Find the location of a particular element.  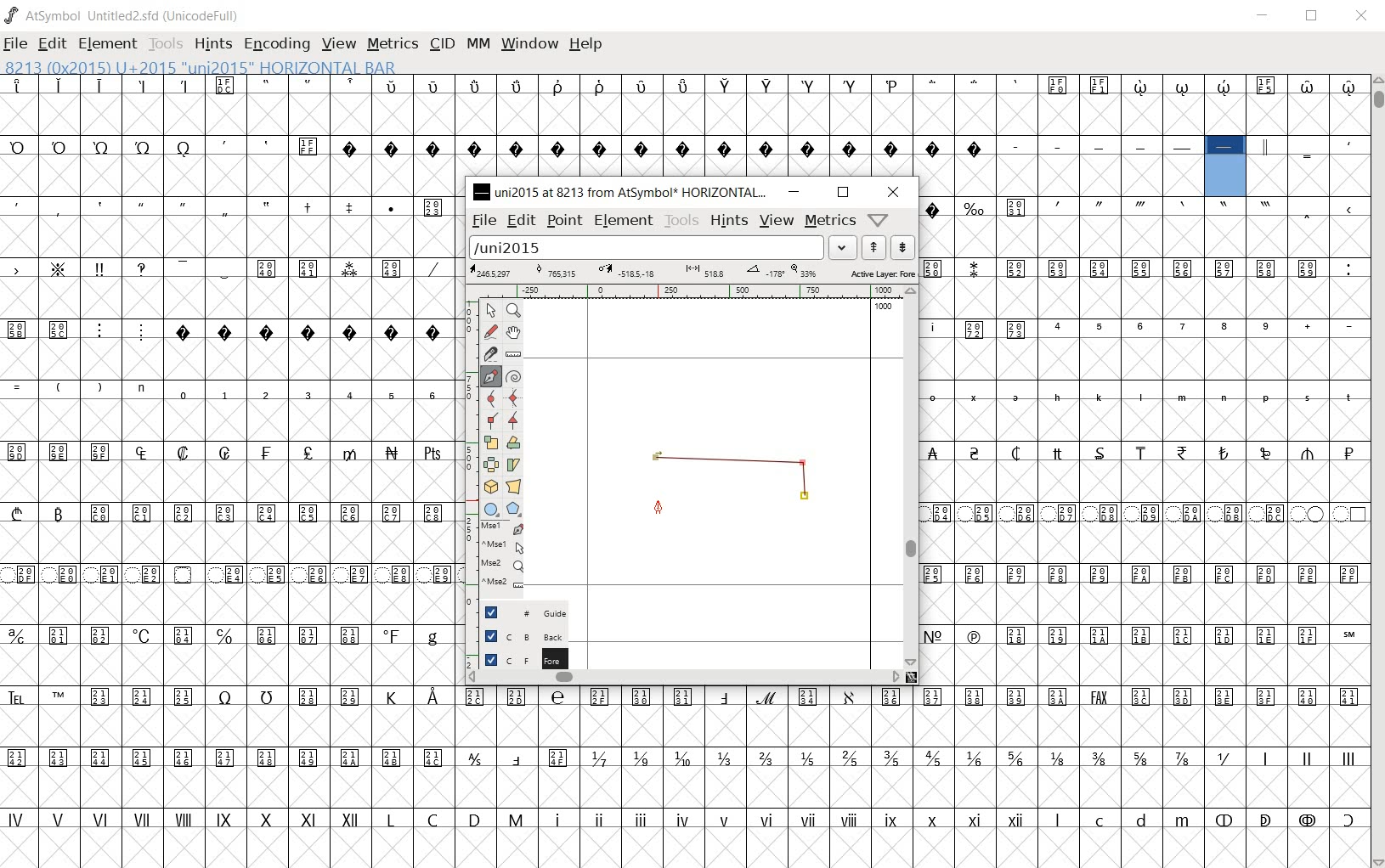

add a point, then drag out its control points is located at coordinates (488, 375).